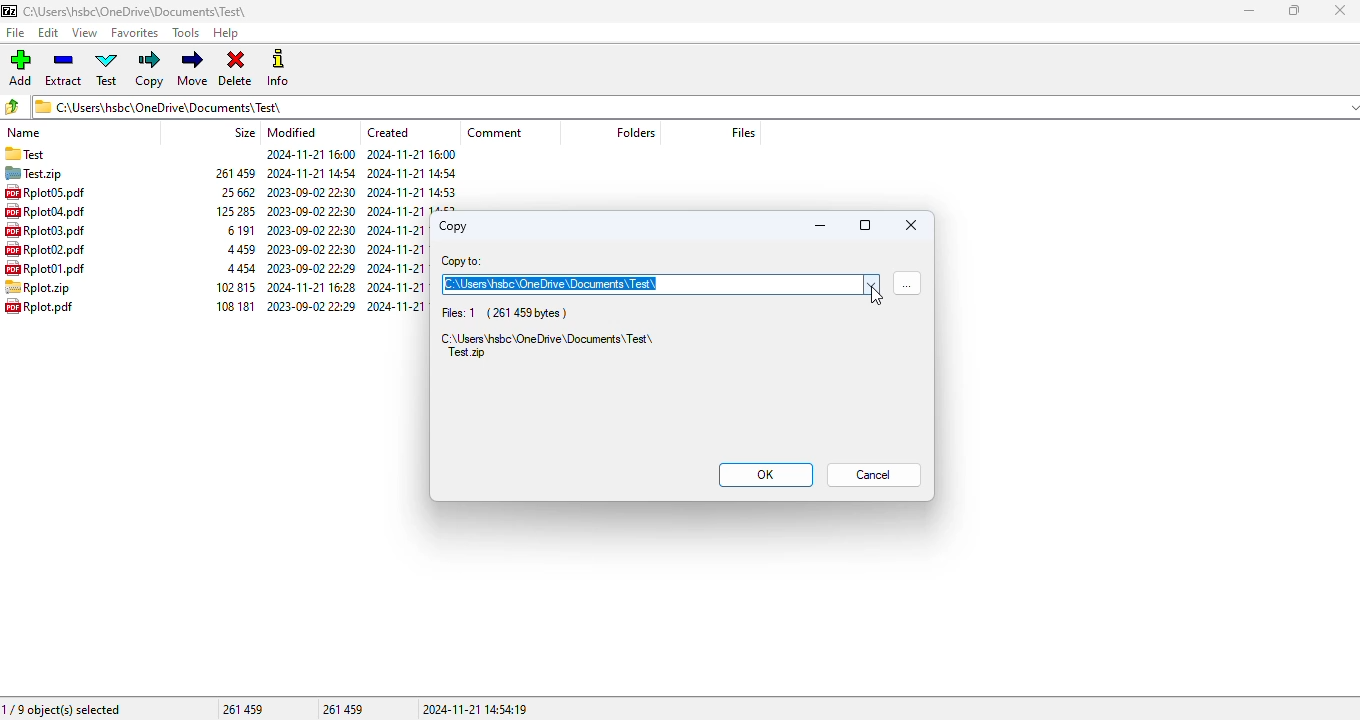 The width and height of the screenshot is (1360, 720). Describe the element at coordinates (475, 709) in the screenshot. I see `2024-11-21 14:54:19` at that location.